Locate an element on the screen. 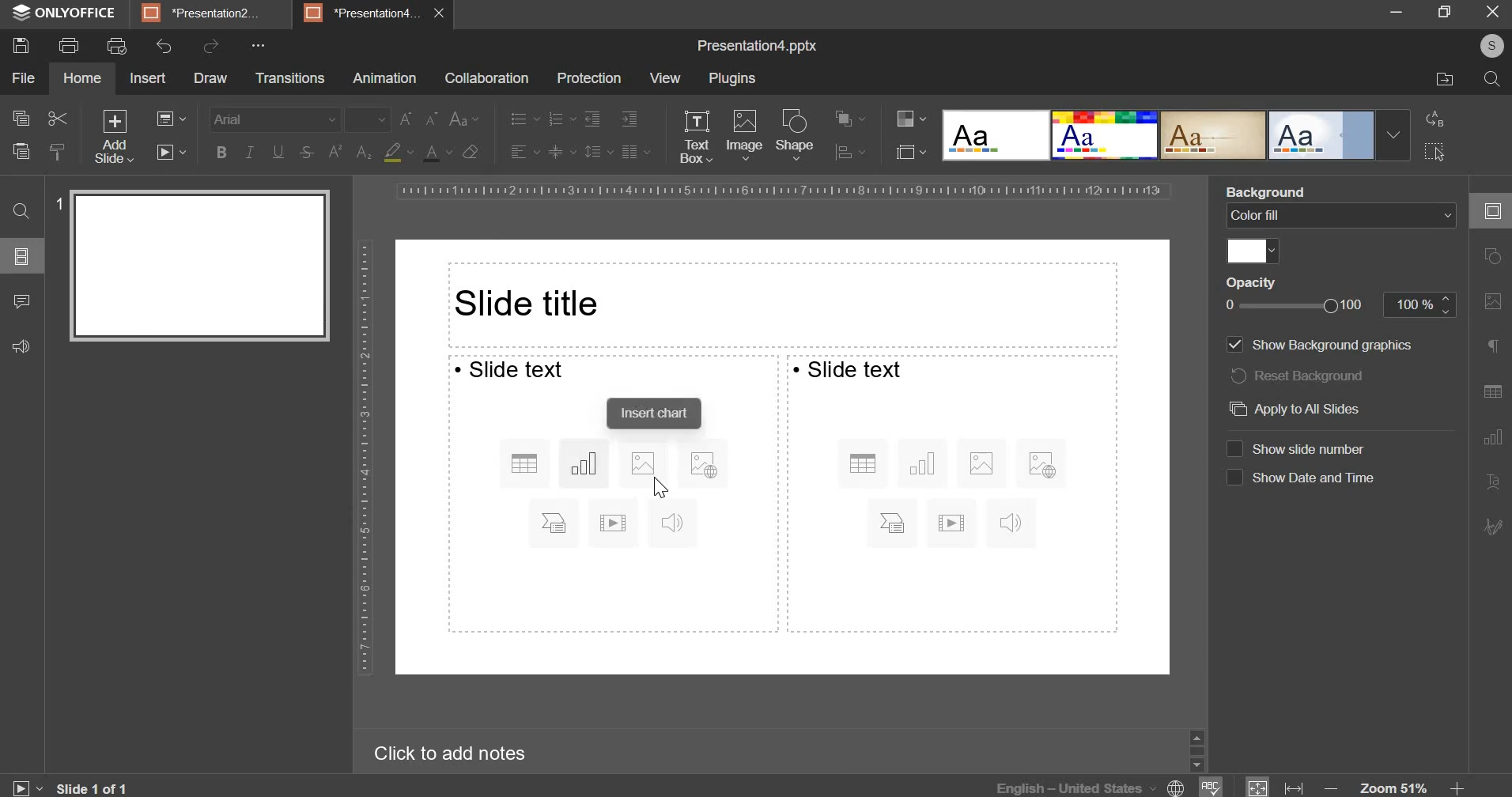 This screenshot has width=1512, height=797. paste is located at coordinates (20, 149).